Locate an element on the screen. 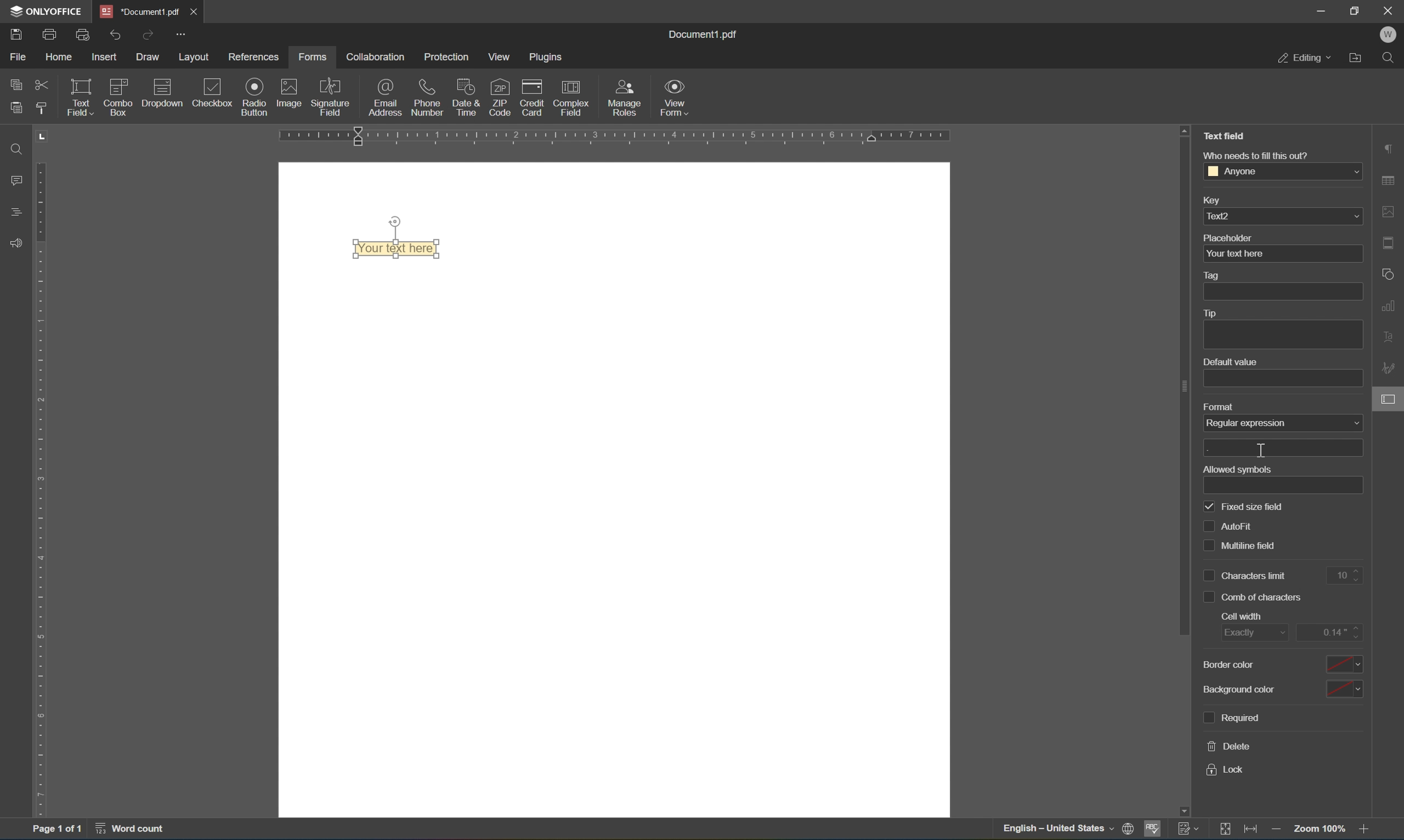 This screenshot has width=1404, height=840. combo box is located at coordinates (118, 101).